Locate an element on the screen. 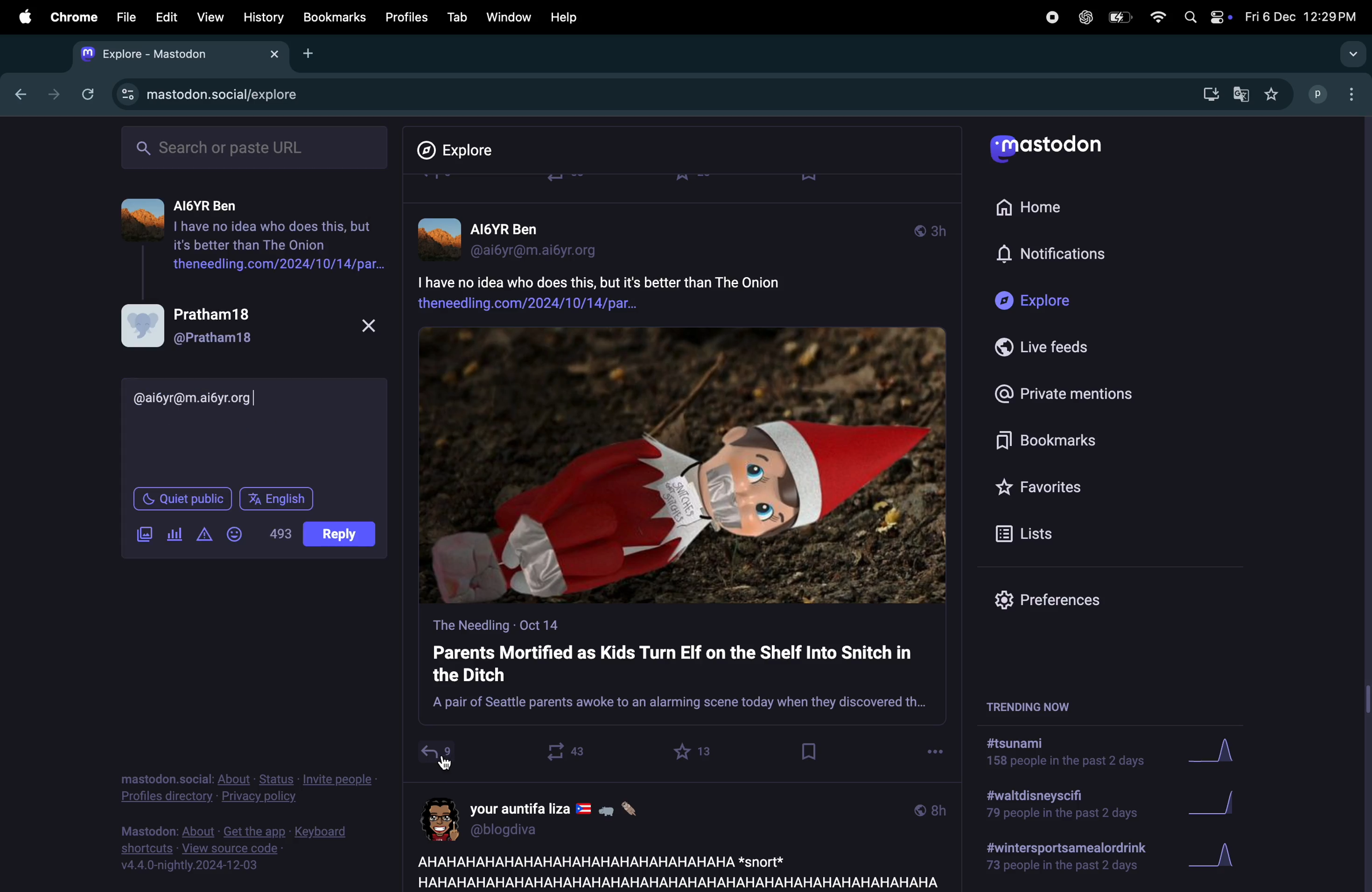 This screenshot has height=892, width=1372. graph is located at coordinates (1218, 806).